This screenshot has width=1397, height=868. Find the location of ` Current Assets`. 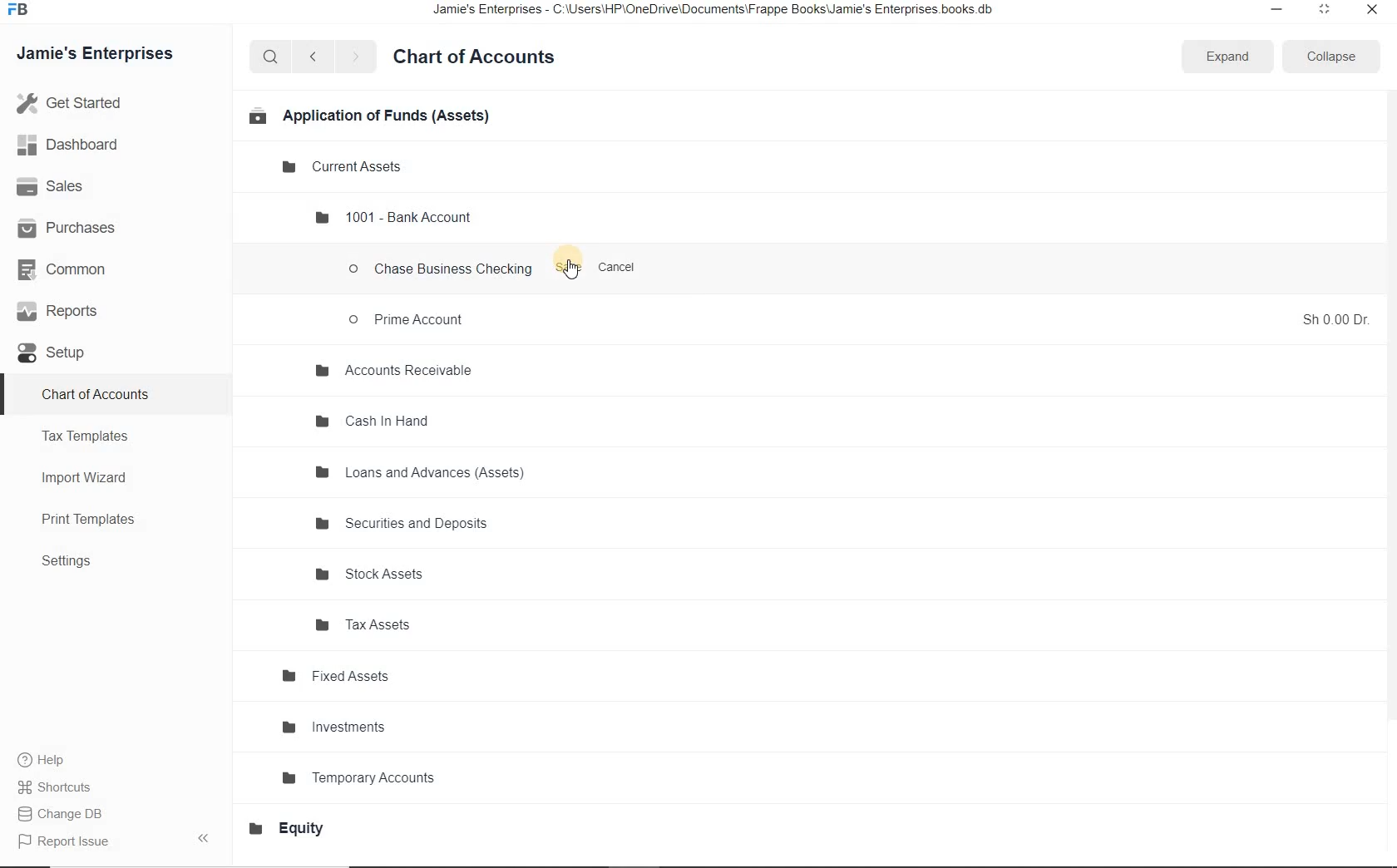

 Current Assets is located at coordinates (345, 167).